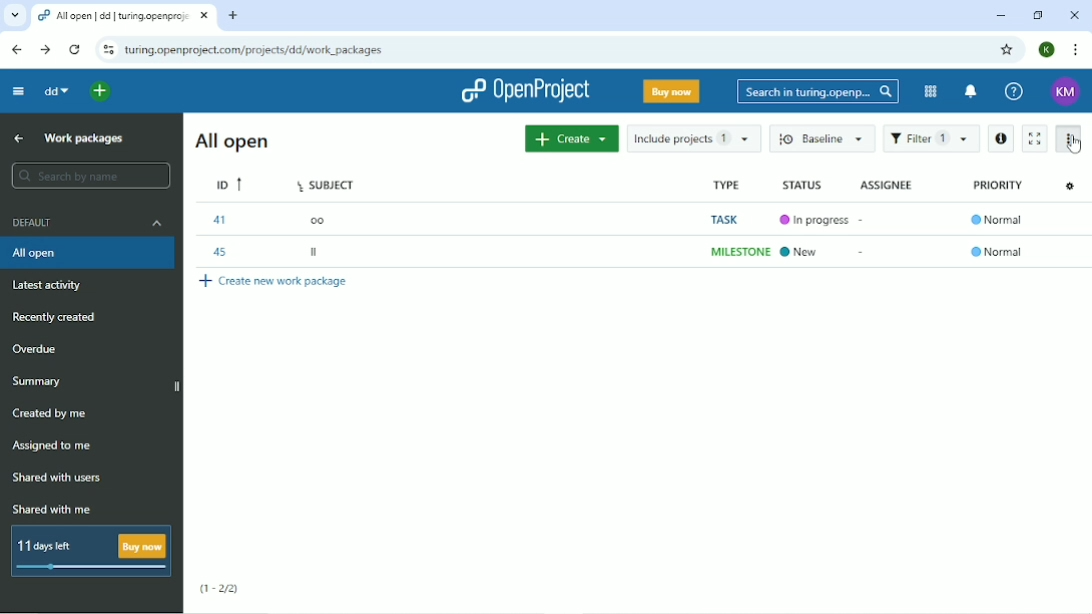 The height and width of the screenshot is (614, 1092). I want to click on New tab, so click(235, 16).